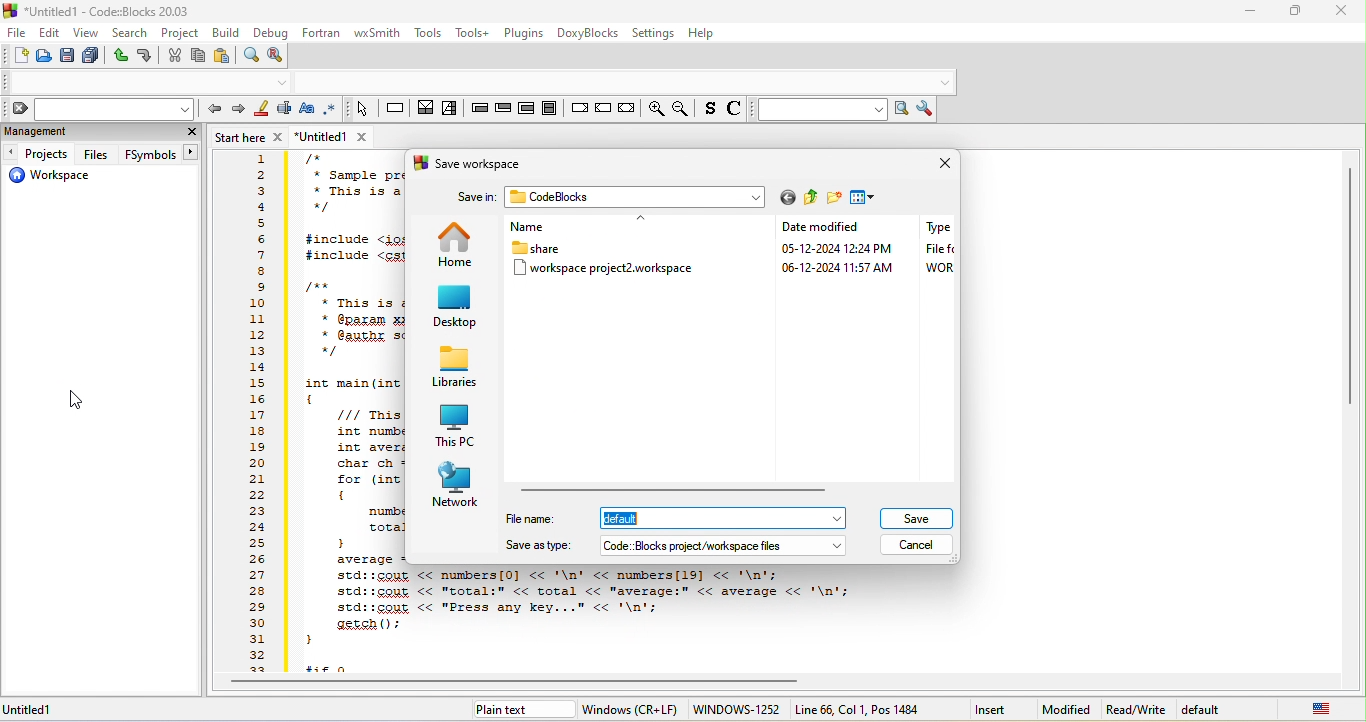  Describe the element at coordinates (395, 109) in the screenshot. I see `instruction` at that location.